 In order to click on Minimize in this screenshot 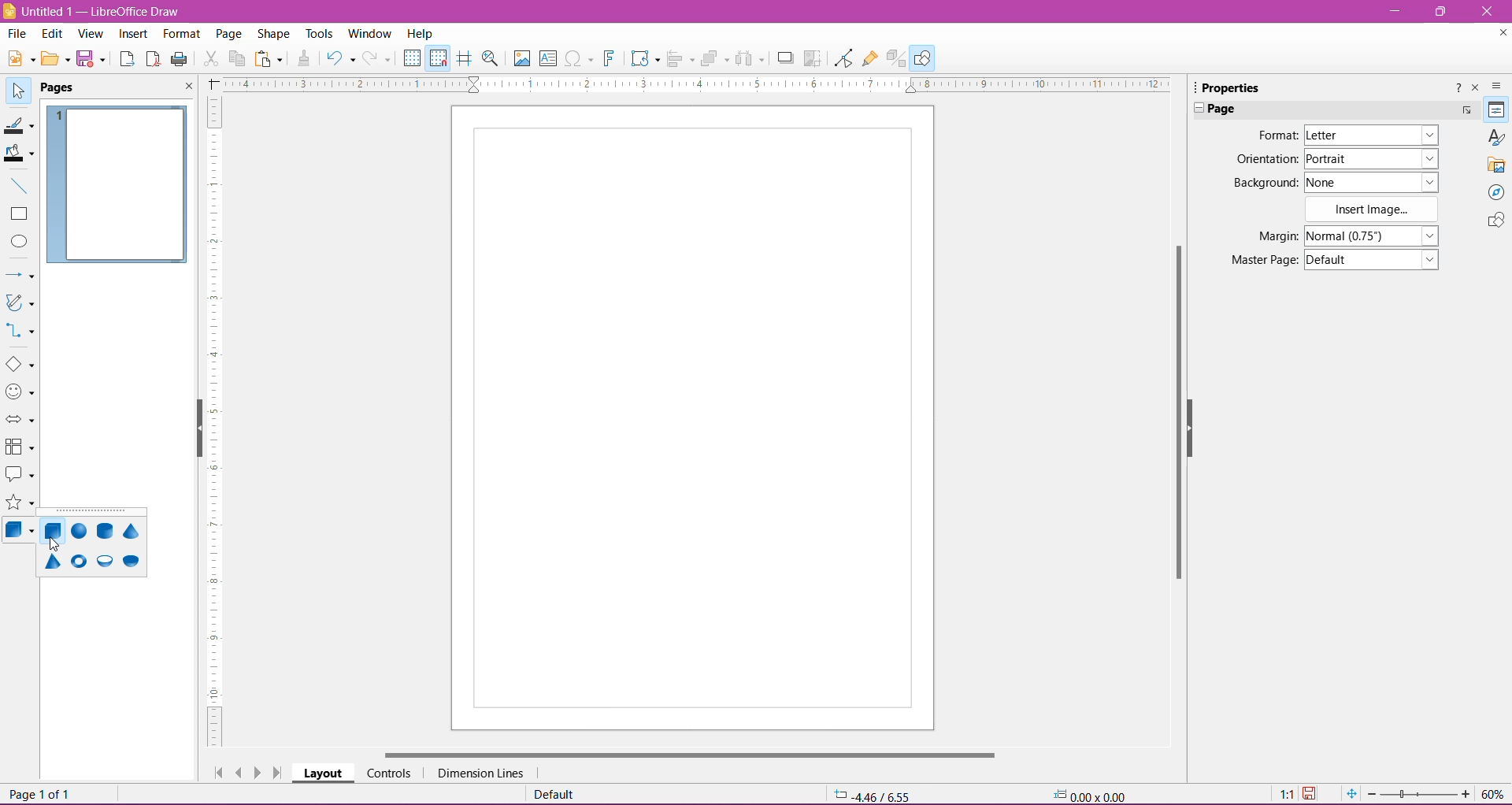, I will do `click(1393, 9)`.